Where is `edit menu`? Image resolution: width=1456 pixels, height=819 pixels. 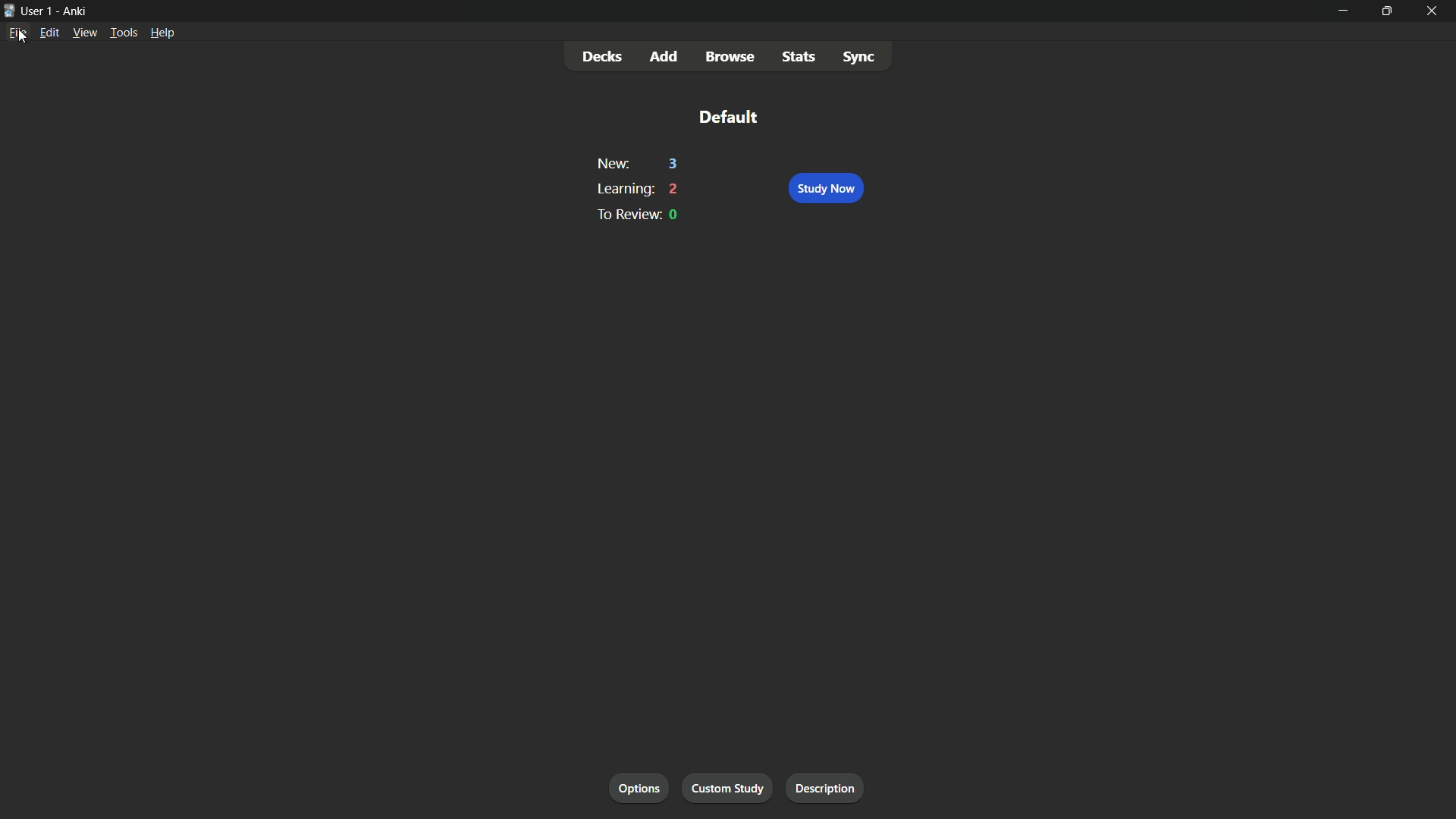 edit menu is located at coordinates (49, 33).